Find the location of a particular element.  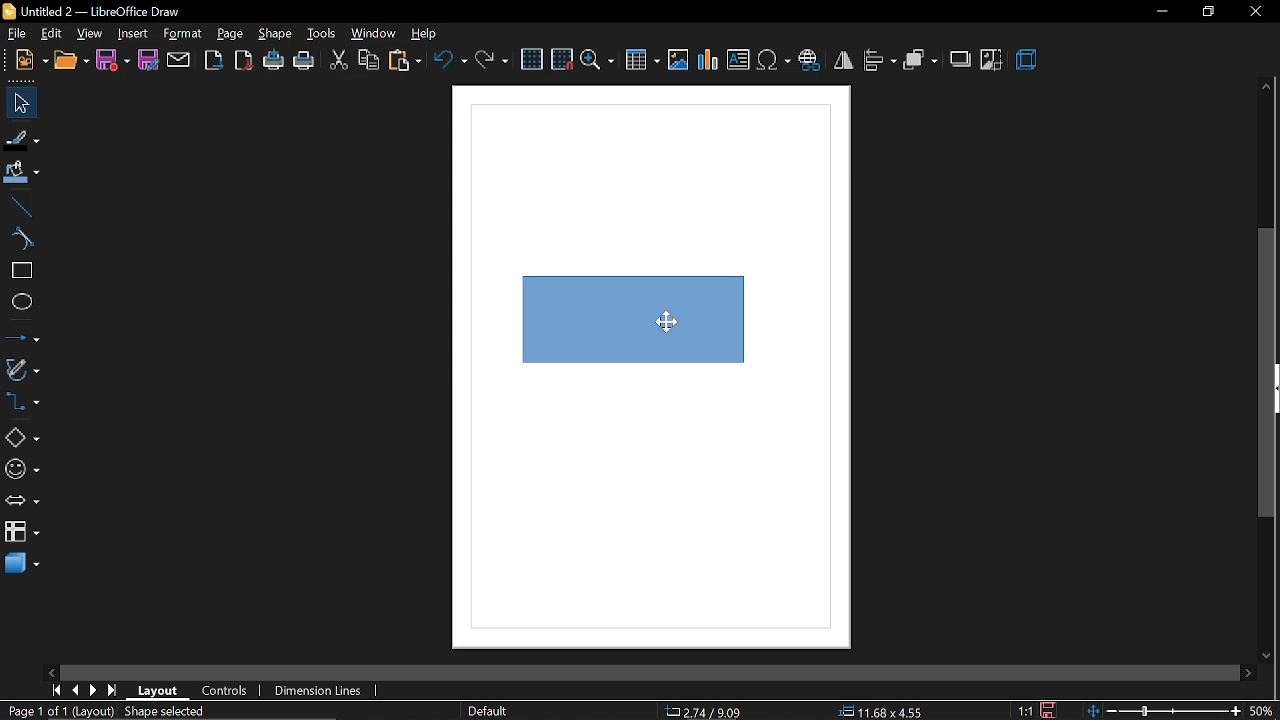

copy is located at coordinates (370, 61).